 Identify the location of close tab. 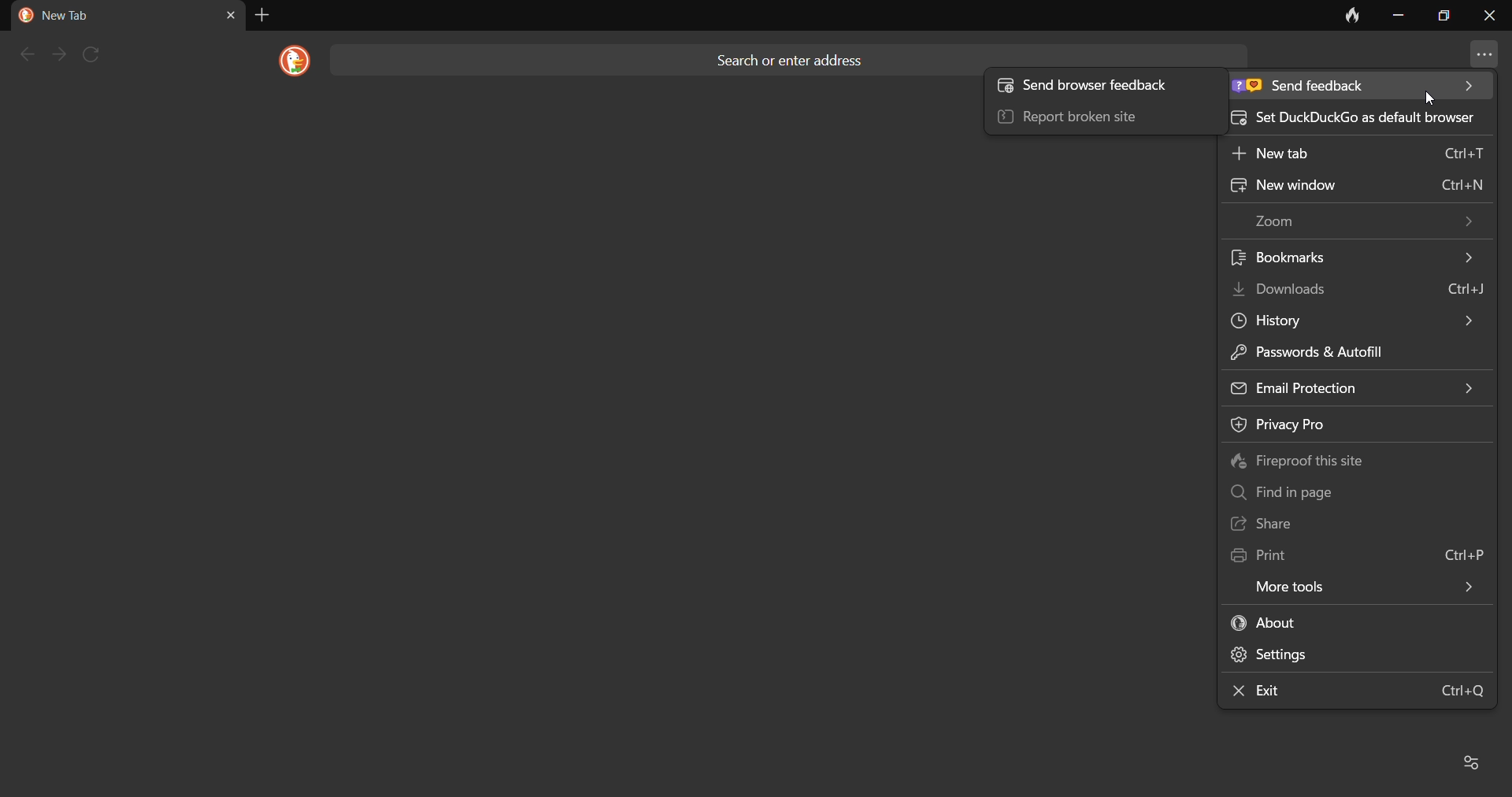
(230, 14).